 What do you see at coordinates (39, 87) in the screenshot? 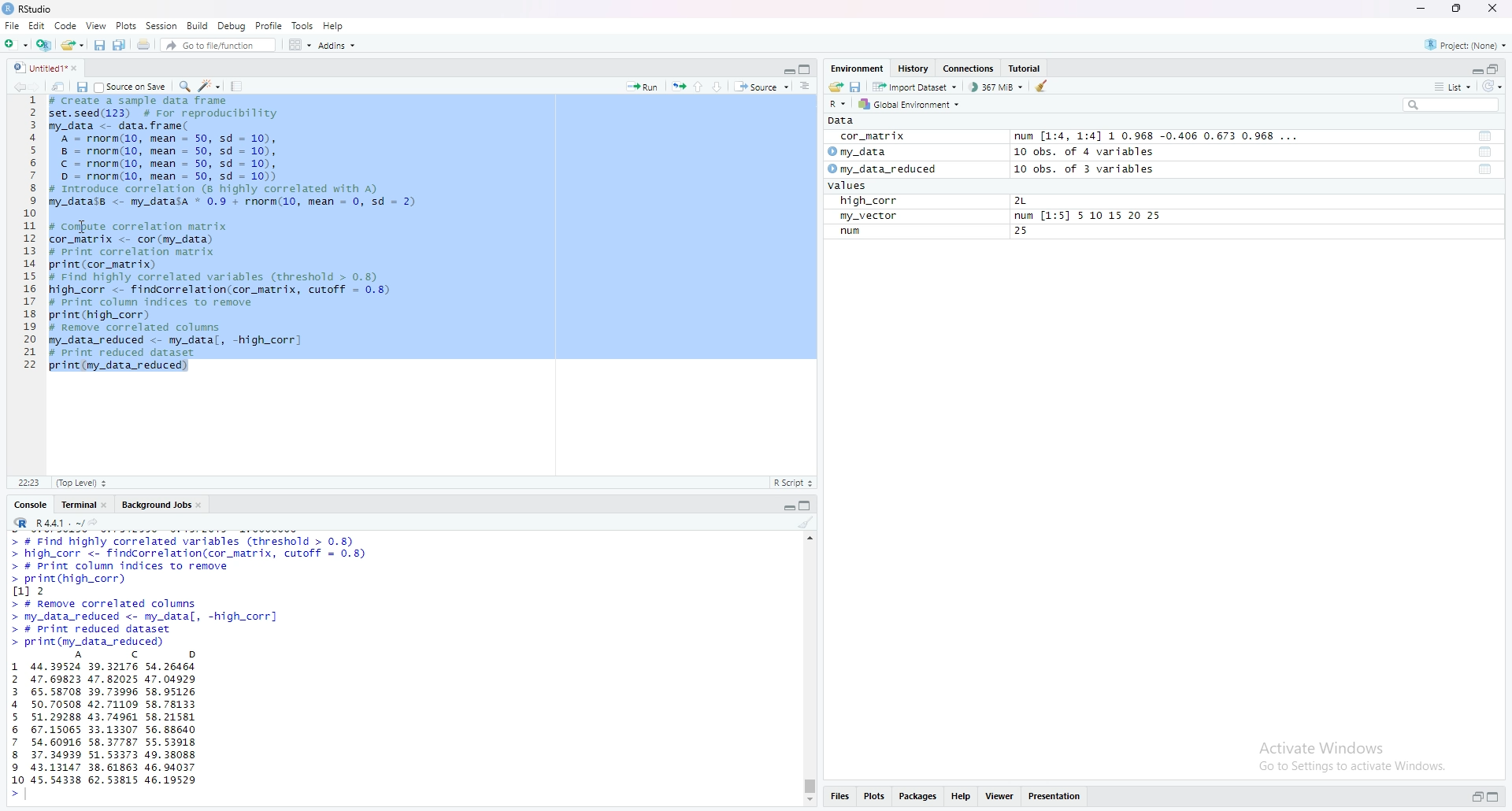
I see `forward` at bounding box center [39, 87].